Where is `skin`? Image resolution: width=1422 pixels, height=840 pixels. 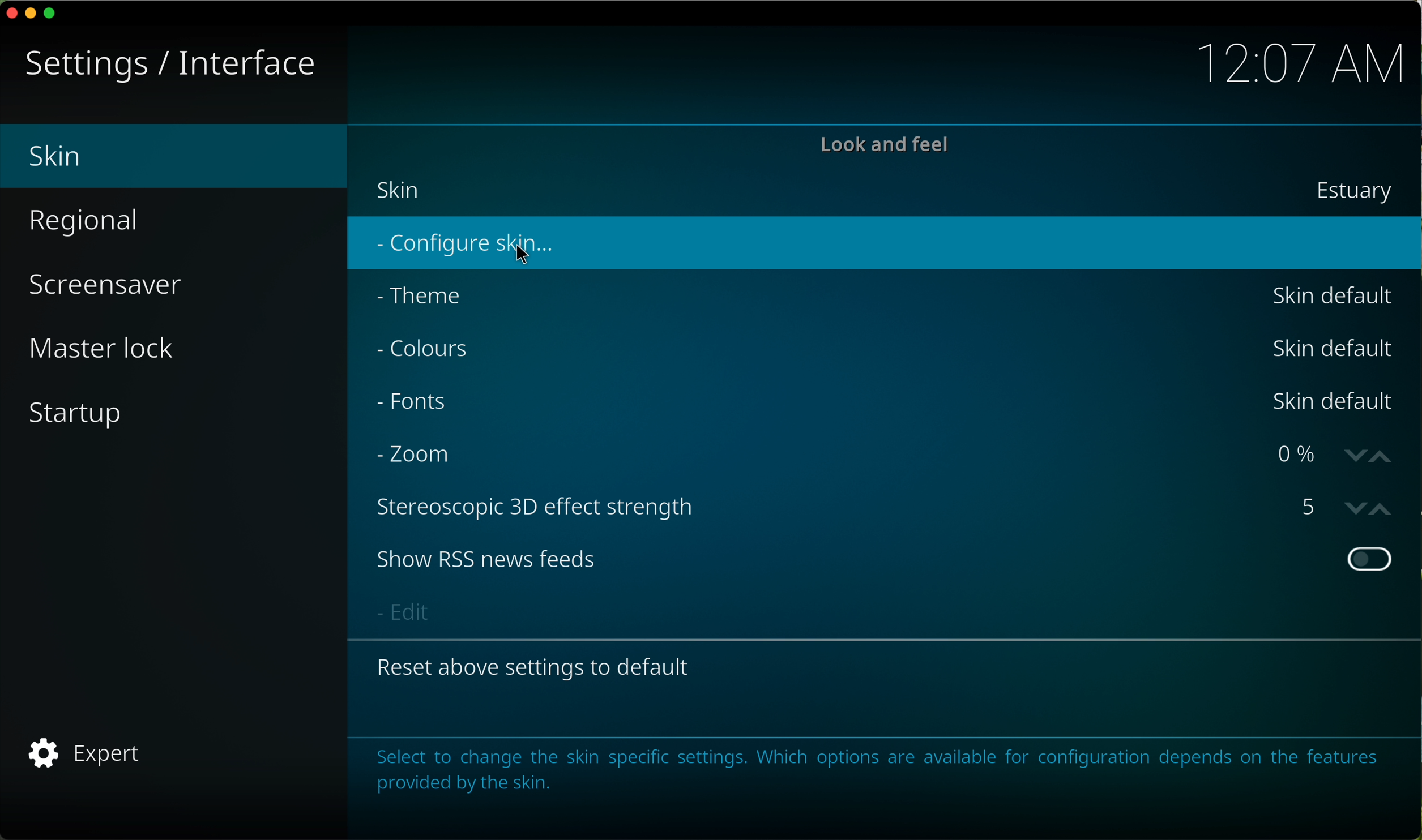 skin is located at coordinates (177, 156).